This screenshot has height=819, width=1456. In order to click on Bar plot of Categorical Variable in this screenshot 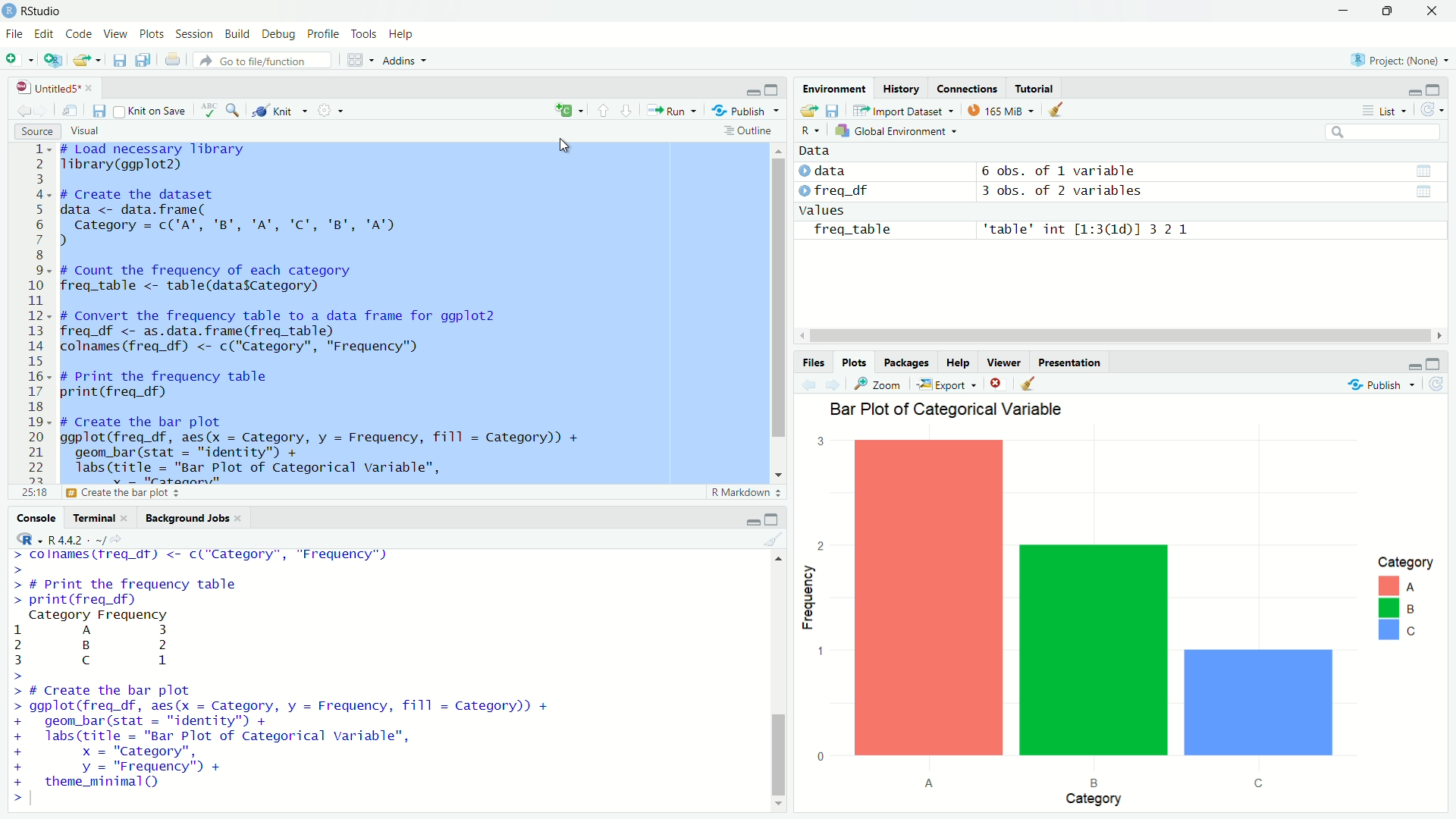, I will do `click(950, 408)`.